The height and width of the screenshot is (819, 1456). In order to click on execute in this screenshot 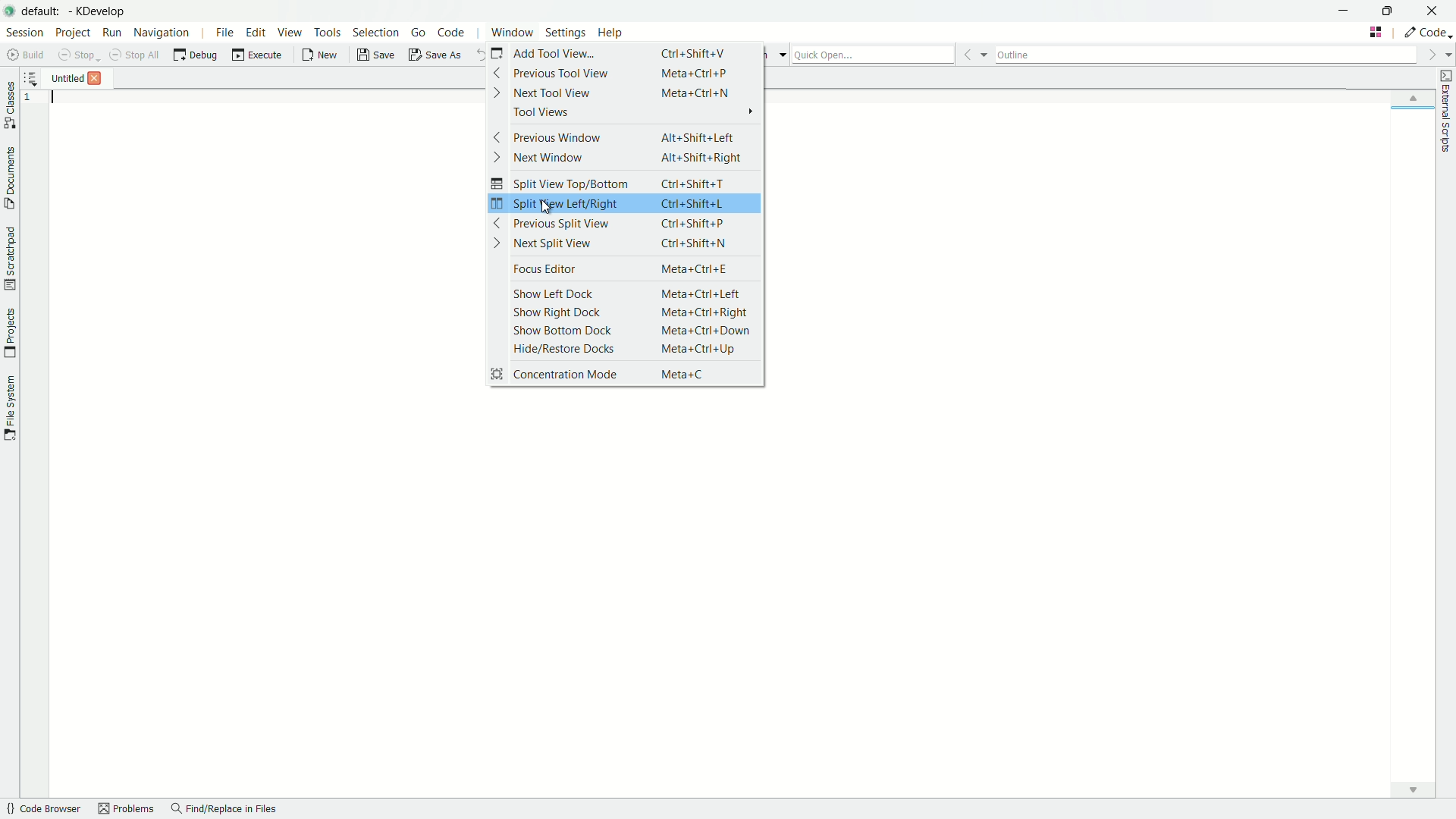, I will do `click(257, 55)`.